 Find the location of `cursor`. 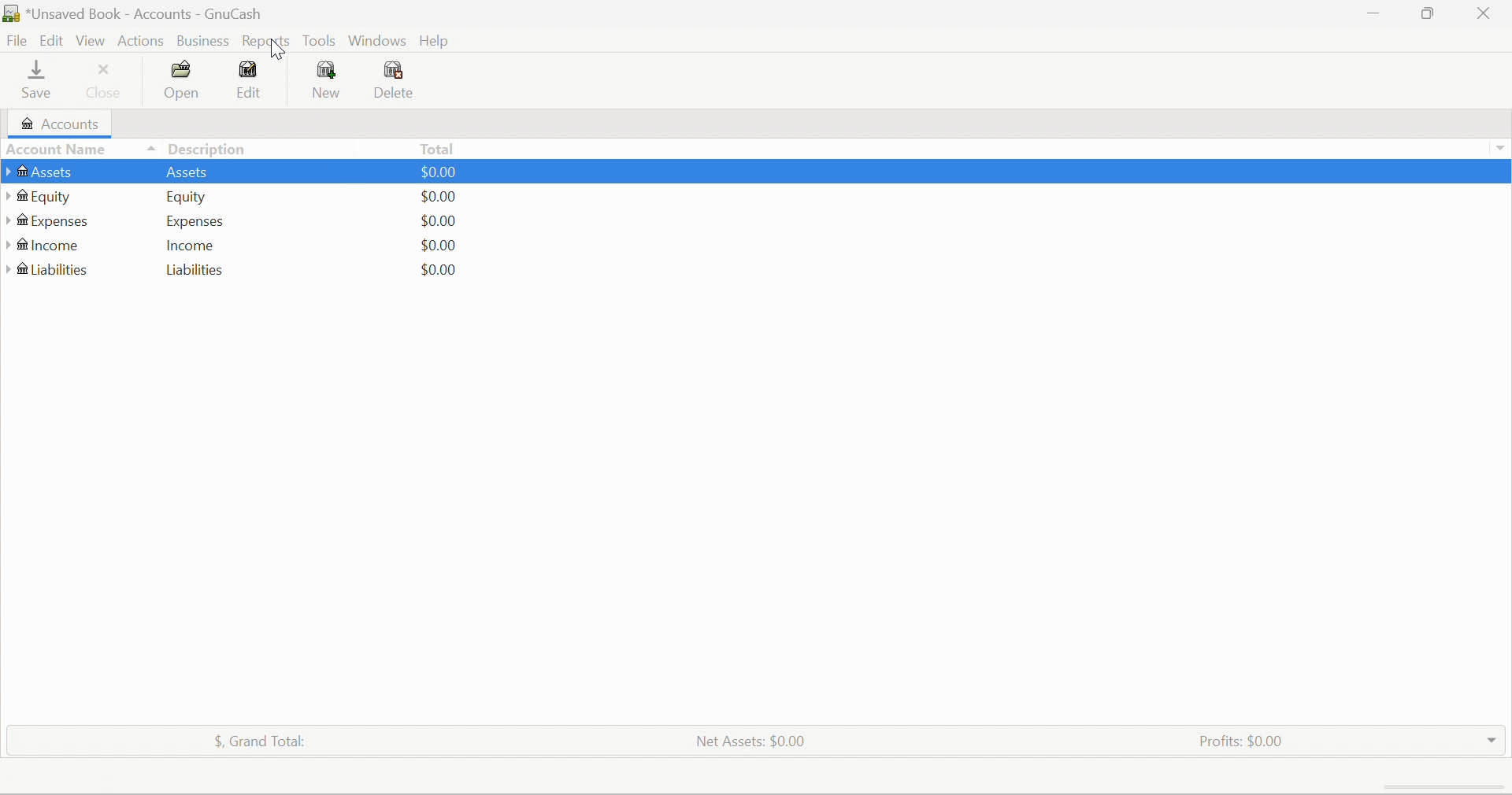

cursor is located at coordinates (283, 51).